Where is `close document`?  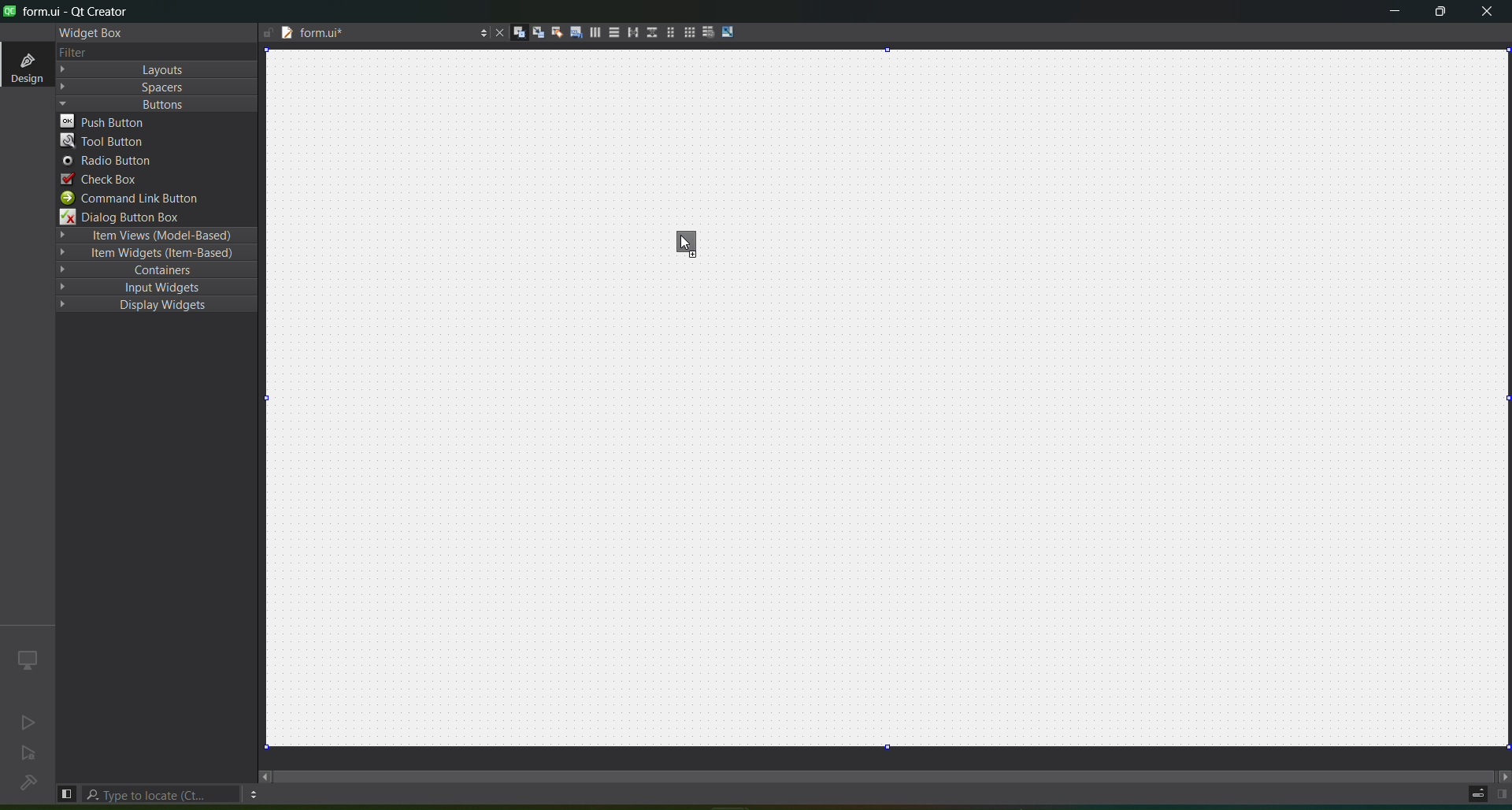
close document is located at coordinates (498, 33).